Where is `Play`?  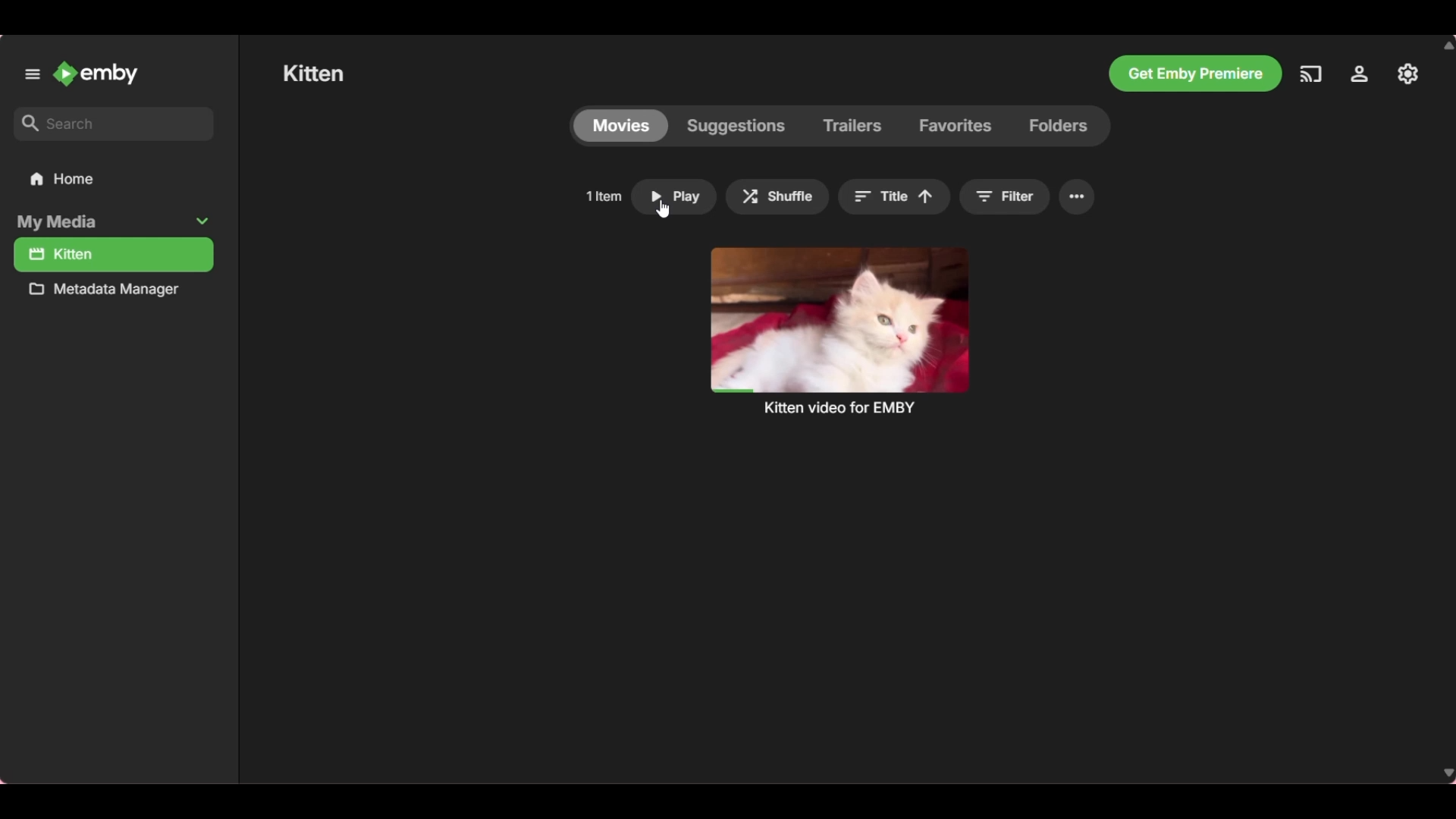 Play is located at coordinates (674, 197).